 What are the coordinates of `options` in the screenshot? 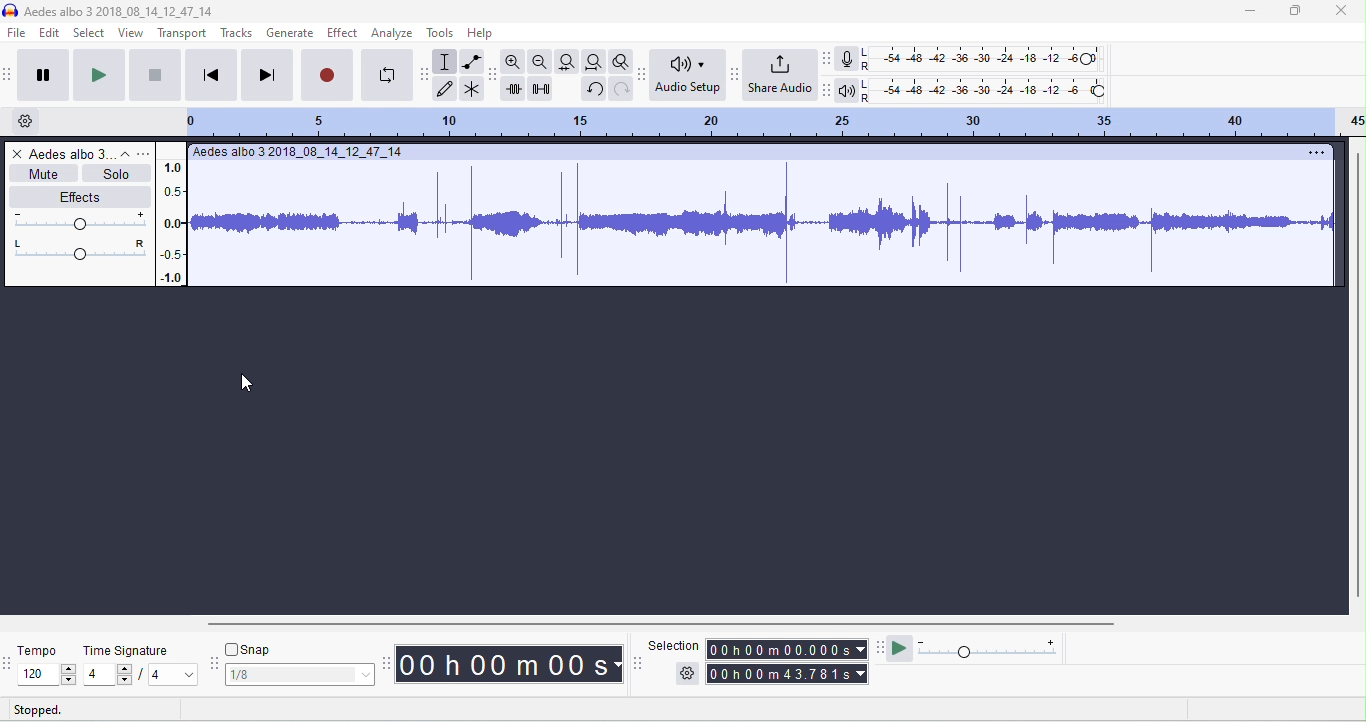 It's located at (1316, 154).